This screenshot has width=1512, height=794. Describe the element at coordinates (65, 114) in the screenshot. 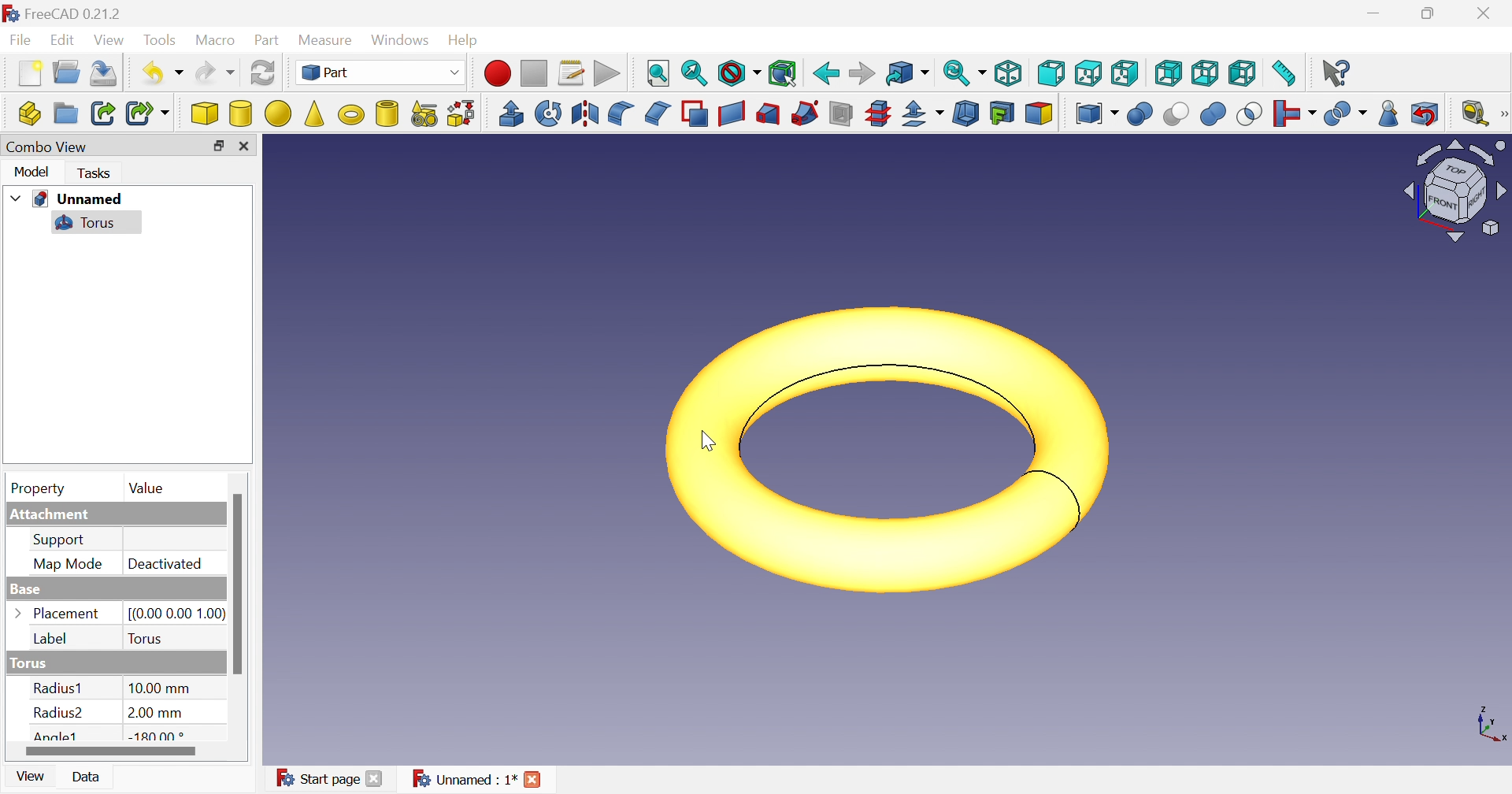

I see `Create group` at that location.